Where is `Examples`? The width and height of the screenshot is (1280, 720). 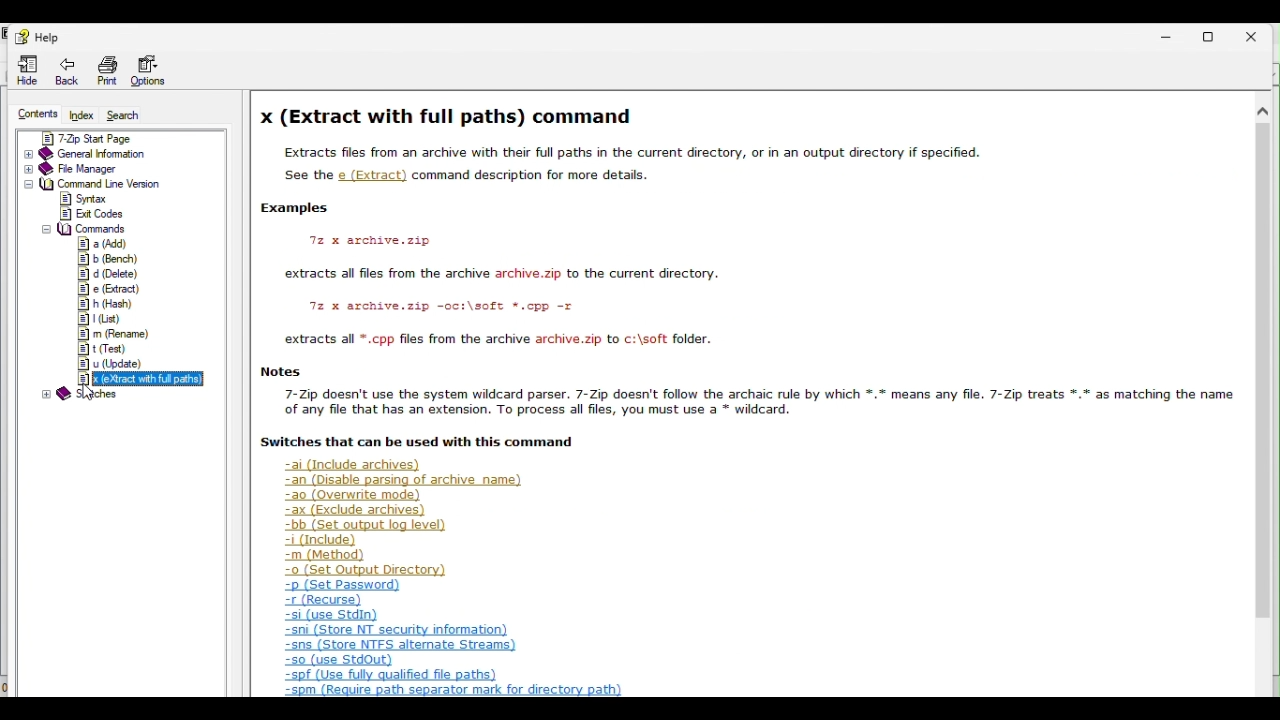 Examples is located at coordinates (315, 212).